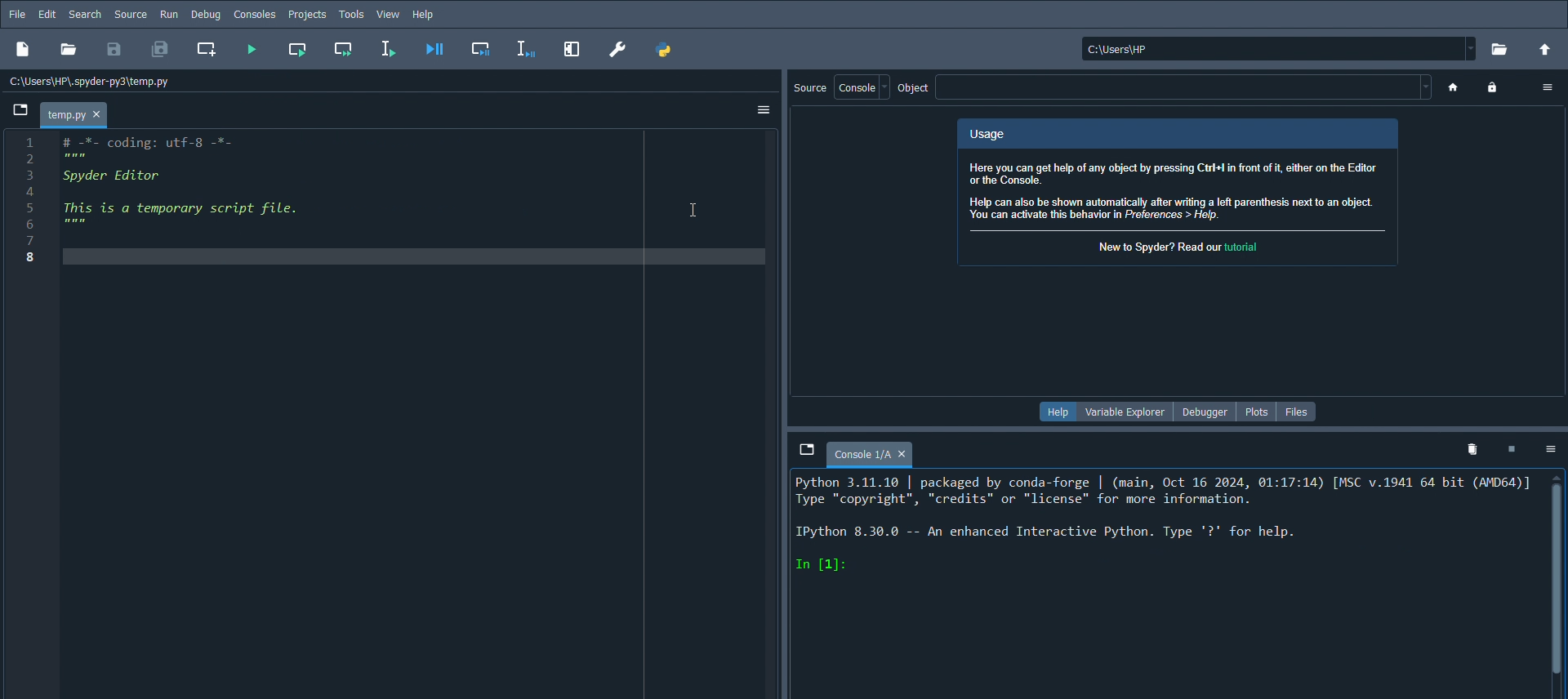 Image resolution: width=1568 pixels, height=699 pixels. Describe the element at coordinates (526, 49) in the screenshot. I see `Debug selection or current line` at that location.